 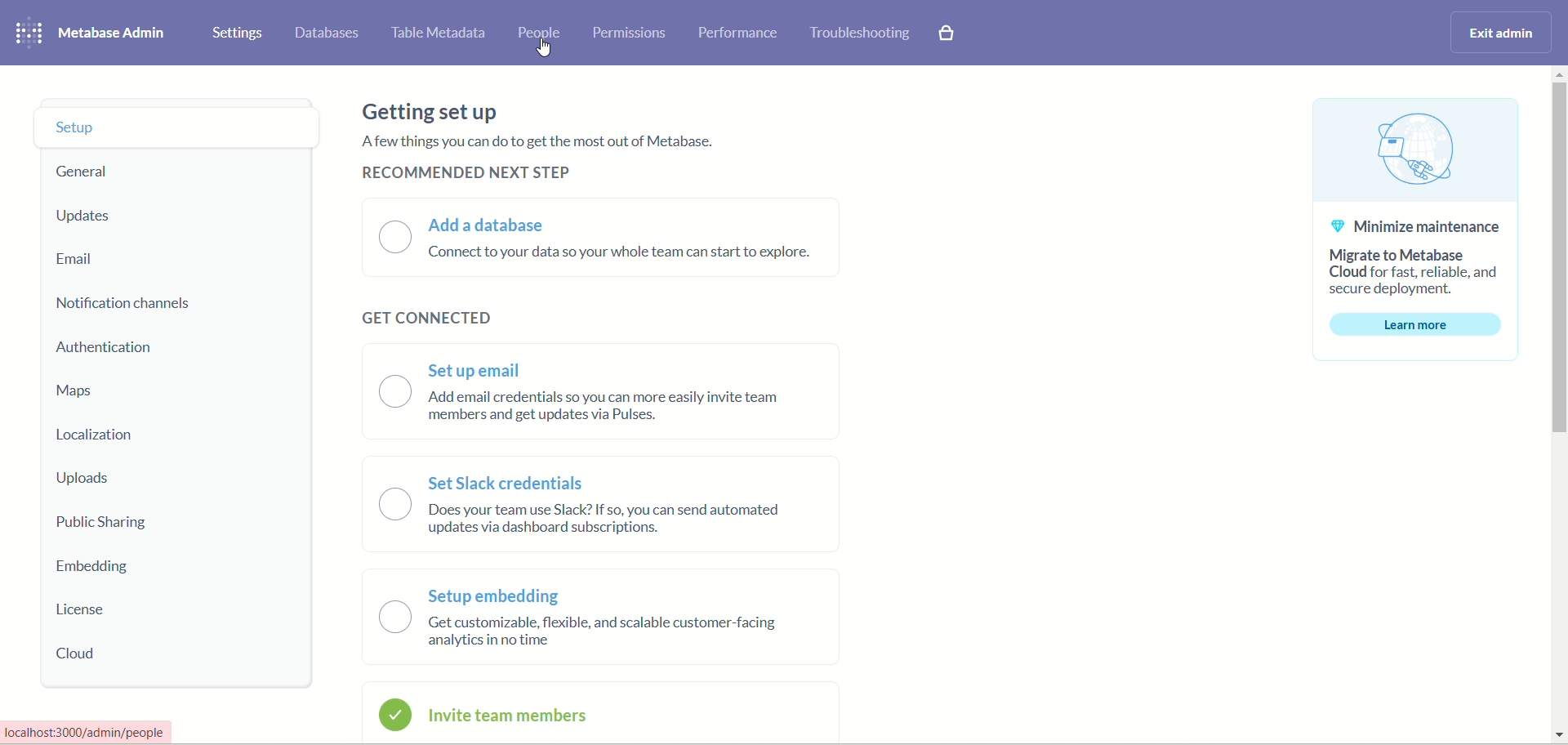 What do you see at coordinates (107, 523) in the screenshot?
I see `public sharing` at bounding box center [107, 523].